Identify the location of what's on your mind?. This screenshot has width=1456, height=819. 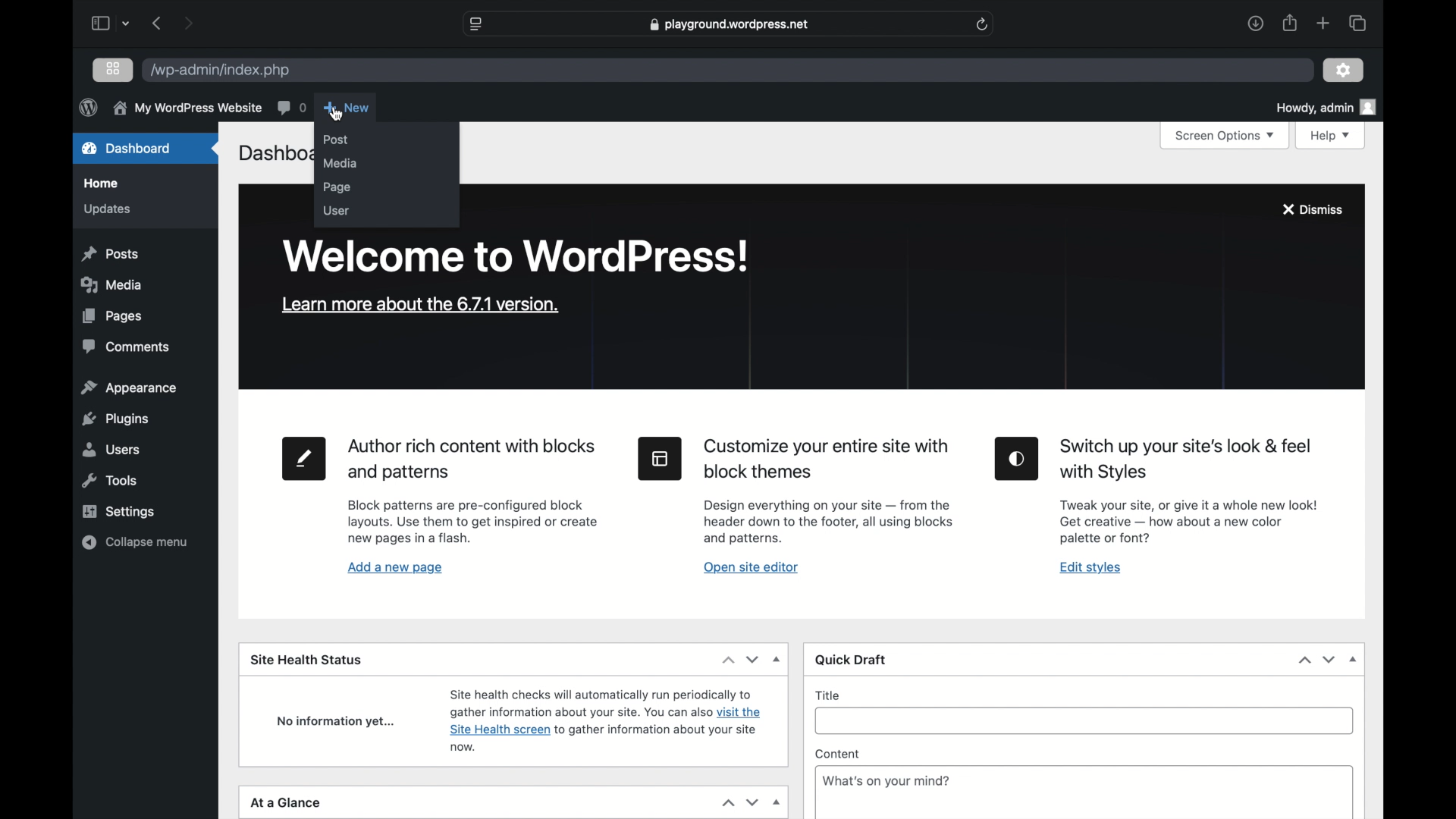
(886, 780).